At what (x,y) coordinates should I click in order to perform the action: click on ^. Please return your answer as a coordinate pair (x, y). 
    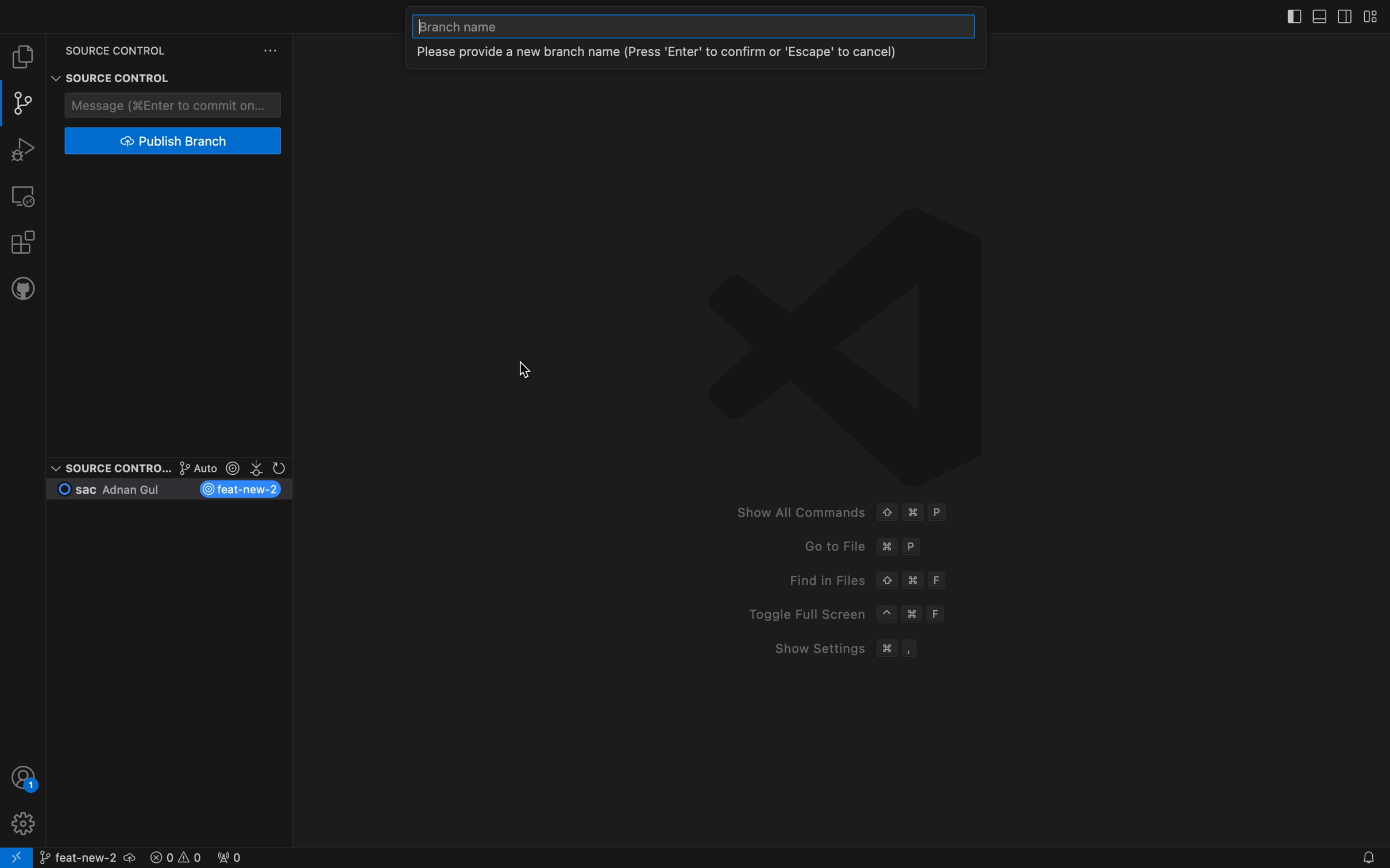
    Looking at the image, I should click on (887, 614).